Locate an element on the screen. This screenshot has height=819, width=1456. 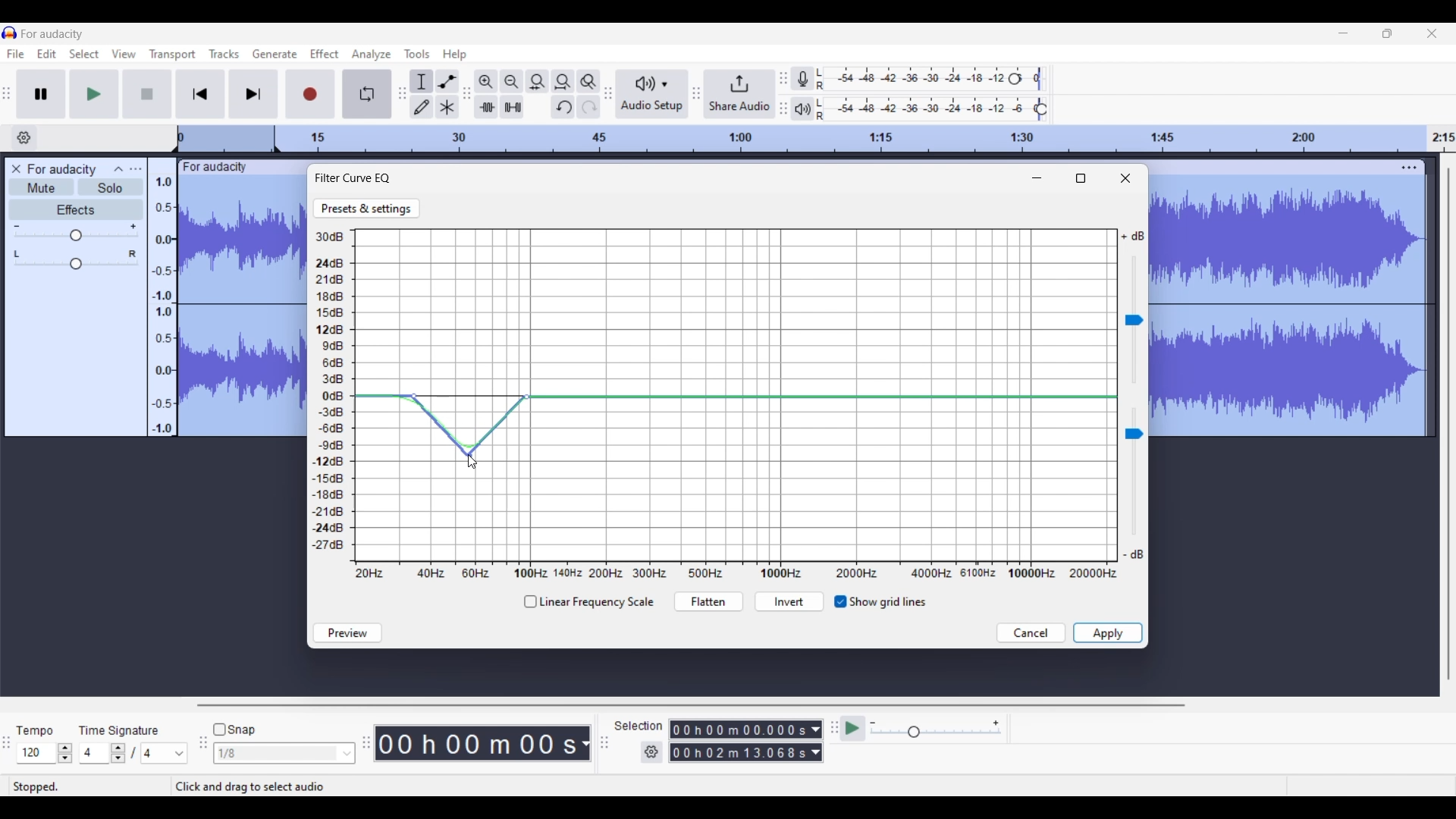
Draw tool is located at coordinates (422, 107).